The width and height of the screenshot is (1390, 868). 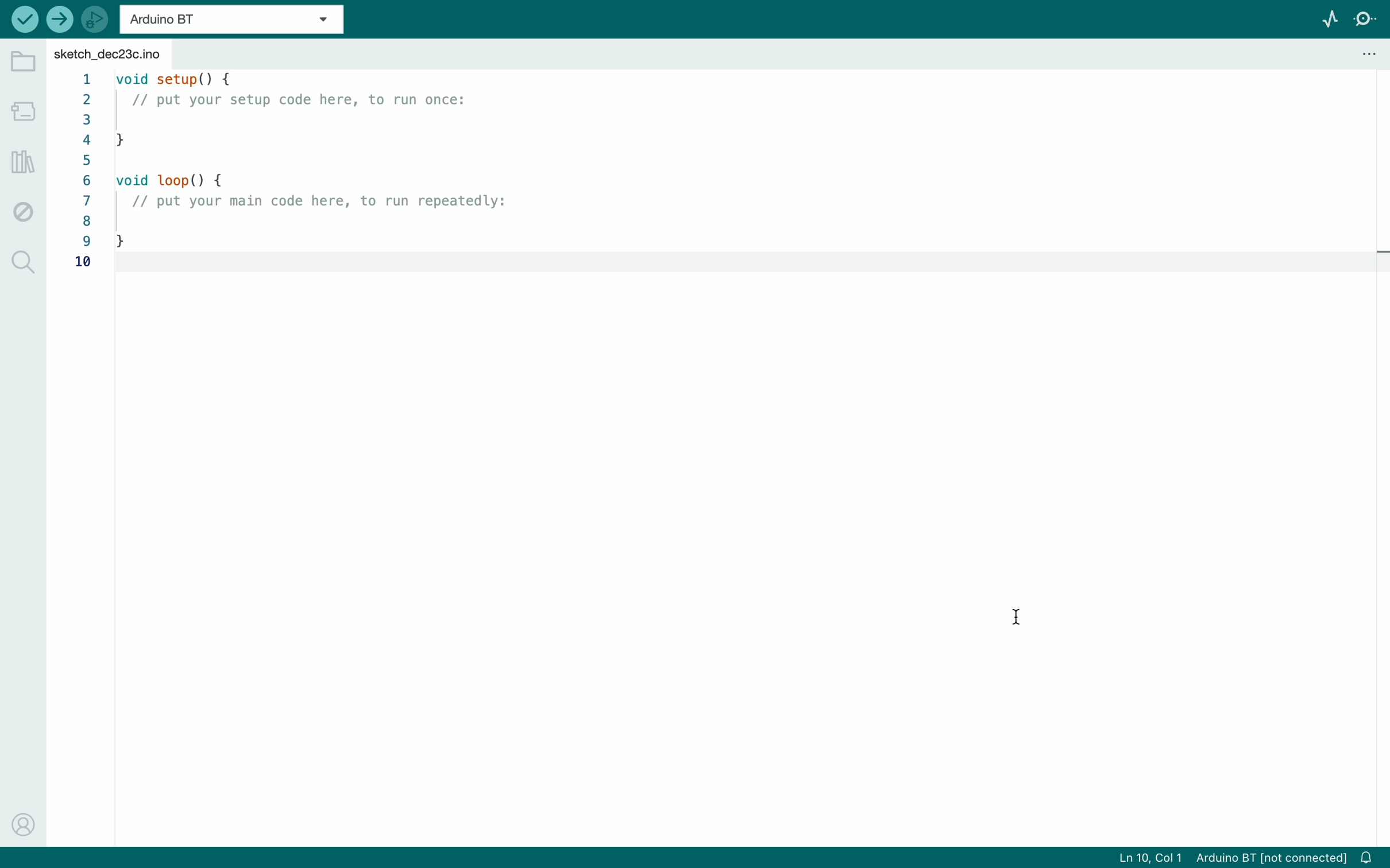 What do you see at coordinates (133, 55) in the screenshot?
I see `file tab` at bounding box center [133, 55].